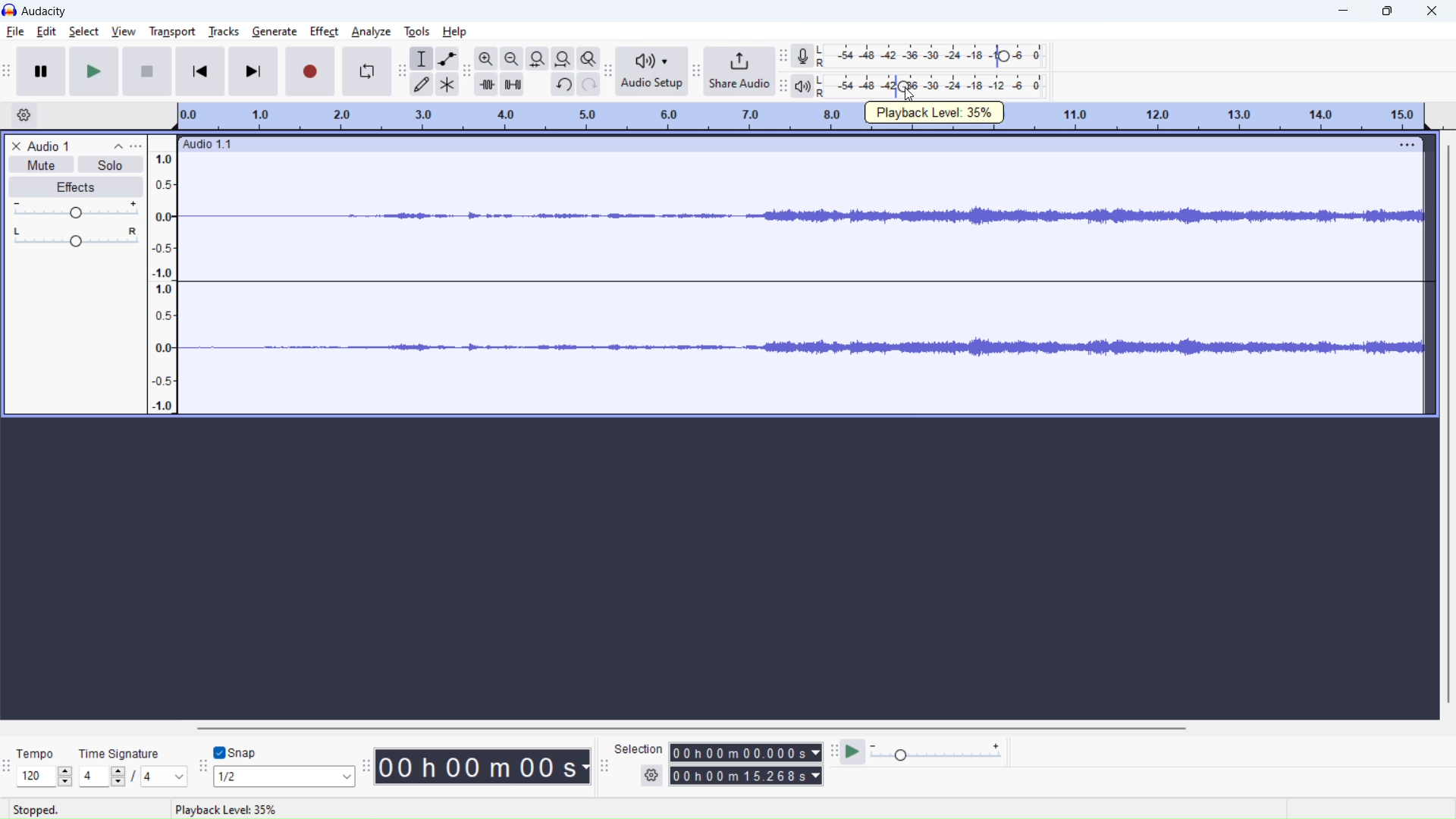 The width and height of the screenshot is (1456, 819). What do you see at coordinates (744, 752) in the screenshot?
I see `start time` at bounding box center [744, 752].